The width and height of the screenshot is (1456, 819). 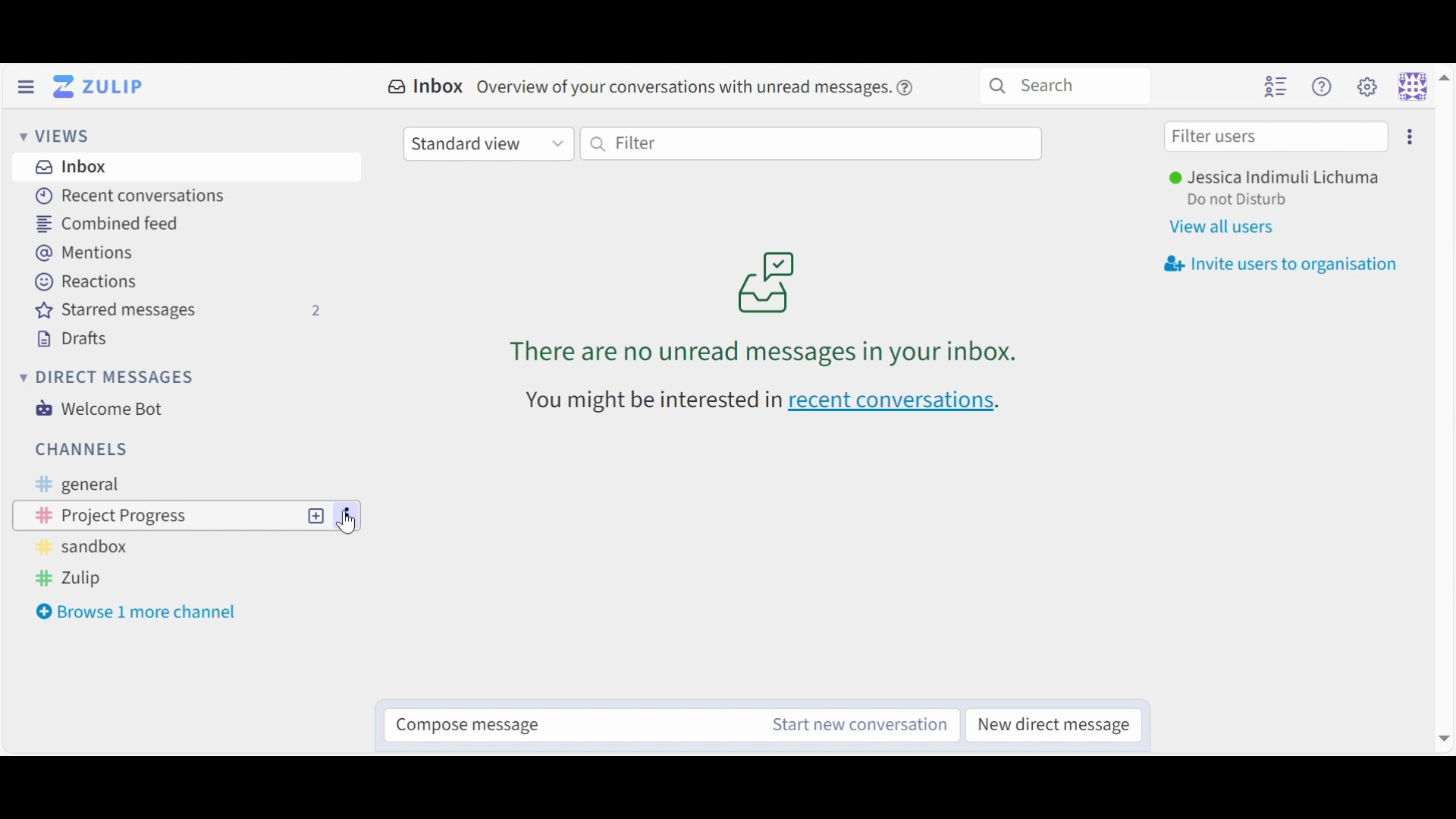 What do you see at coordinates (778, 307) in the screenshot?
I see `unread messages` at bounding box center [778, 307].